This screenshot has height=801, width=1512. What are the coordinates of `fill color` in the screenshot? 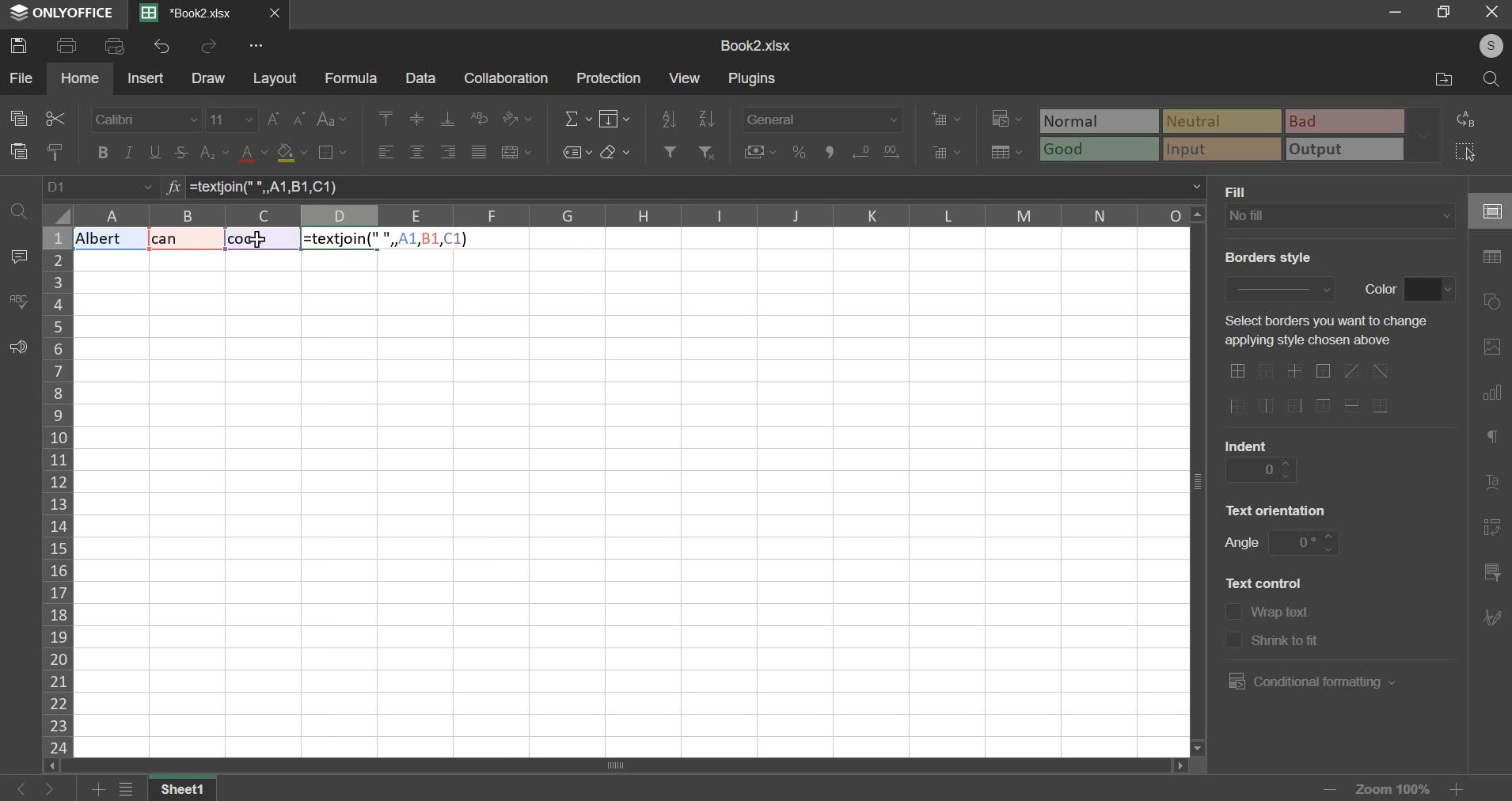 It's located at (291, 154).